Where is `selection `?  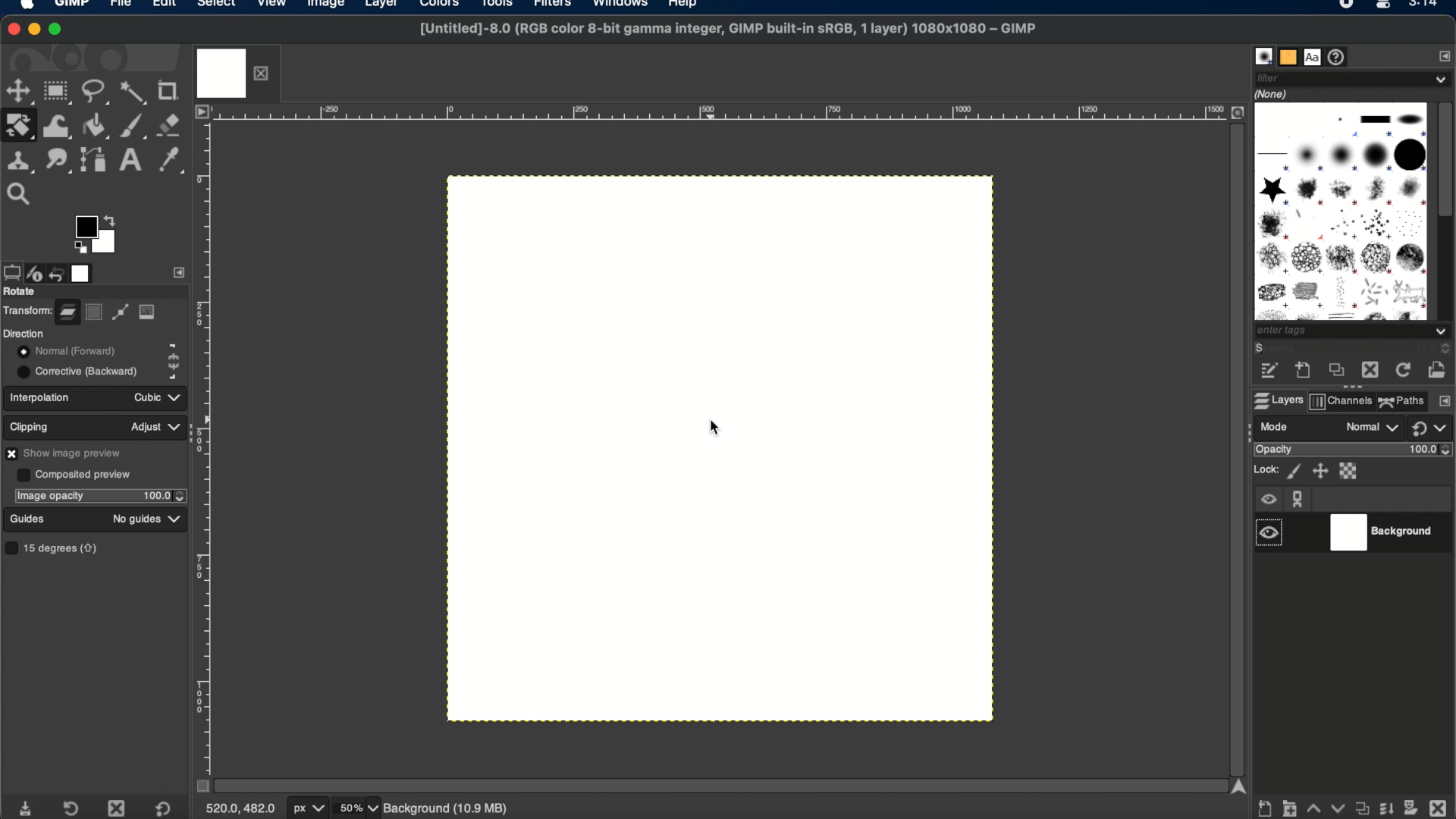 selection  is located at coordinates (95, 312).